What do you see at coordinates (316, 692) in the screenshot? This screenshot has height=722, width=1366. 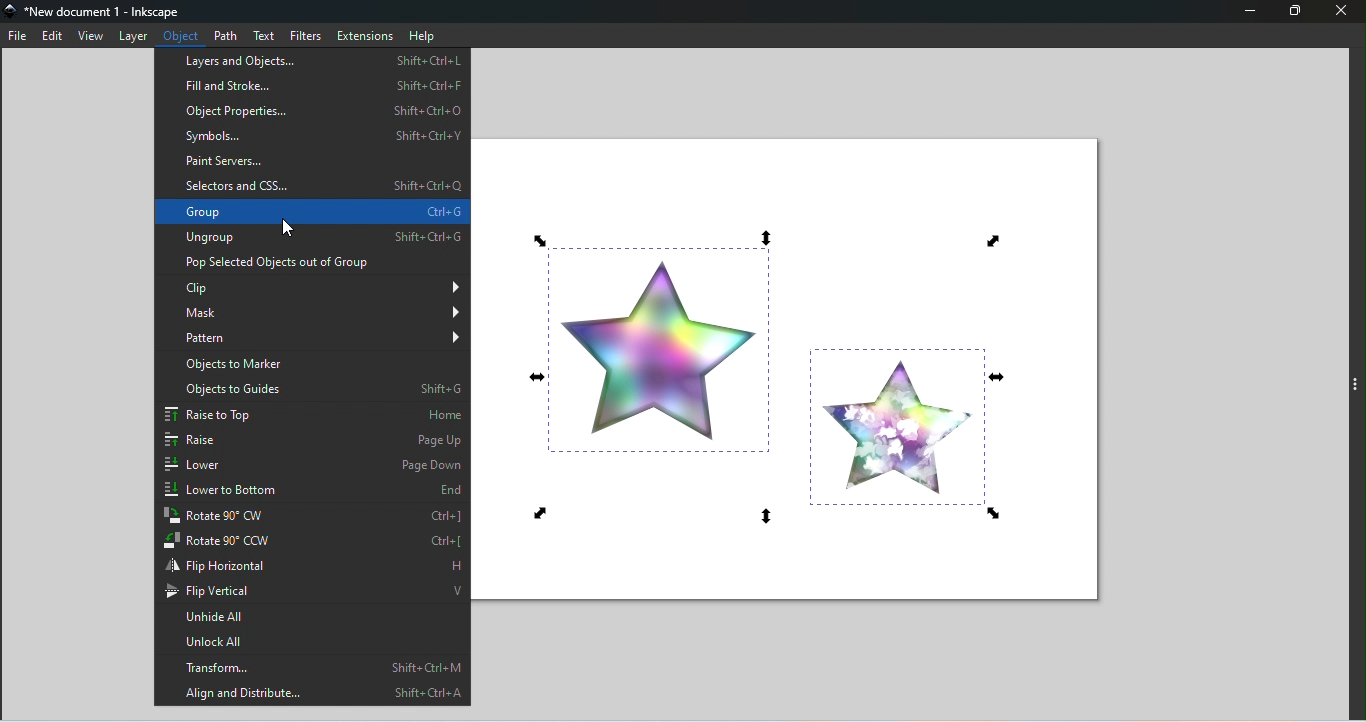 I see `Align and distribute ` at bounding box center [316, 692].